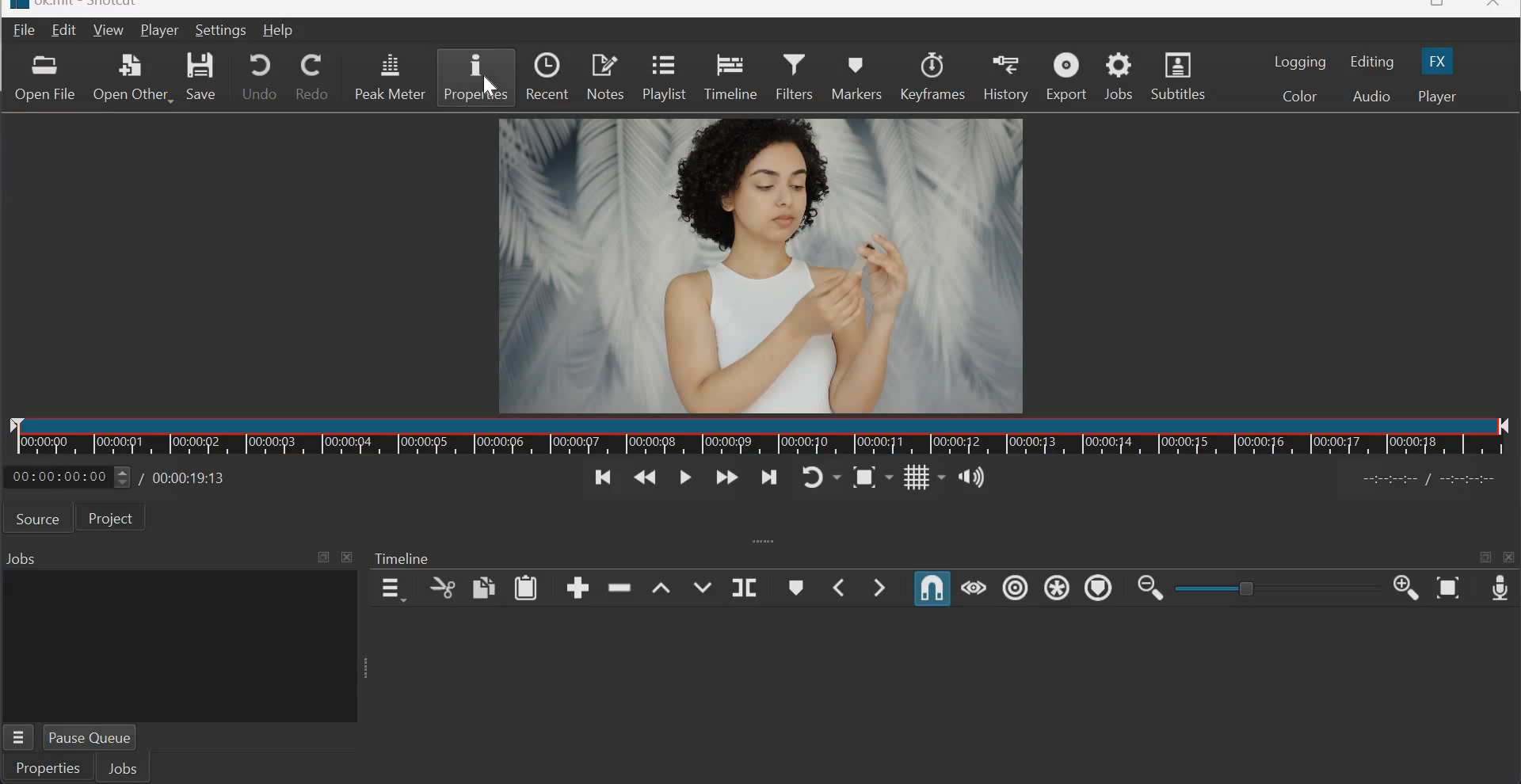  I want to click on Skip to the next point, so click(770, 478).